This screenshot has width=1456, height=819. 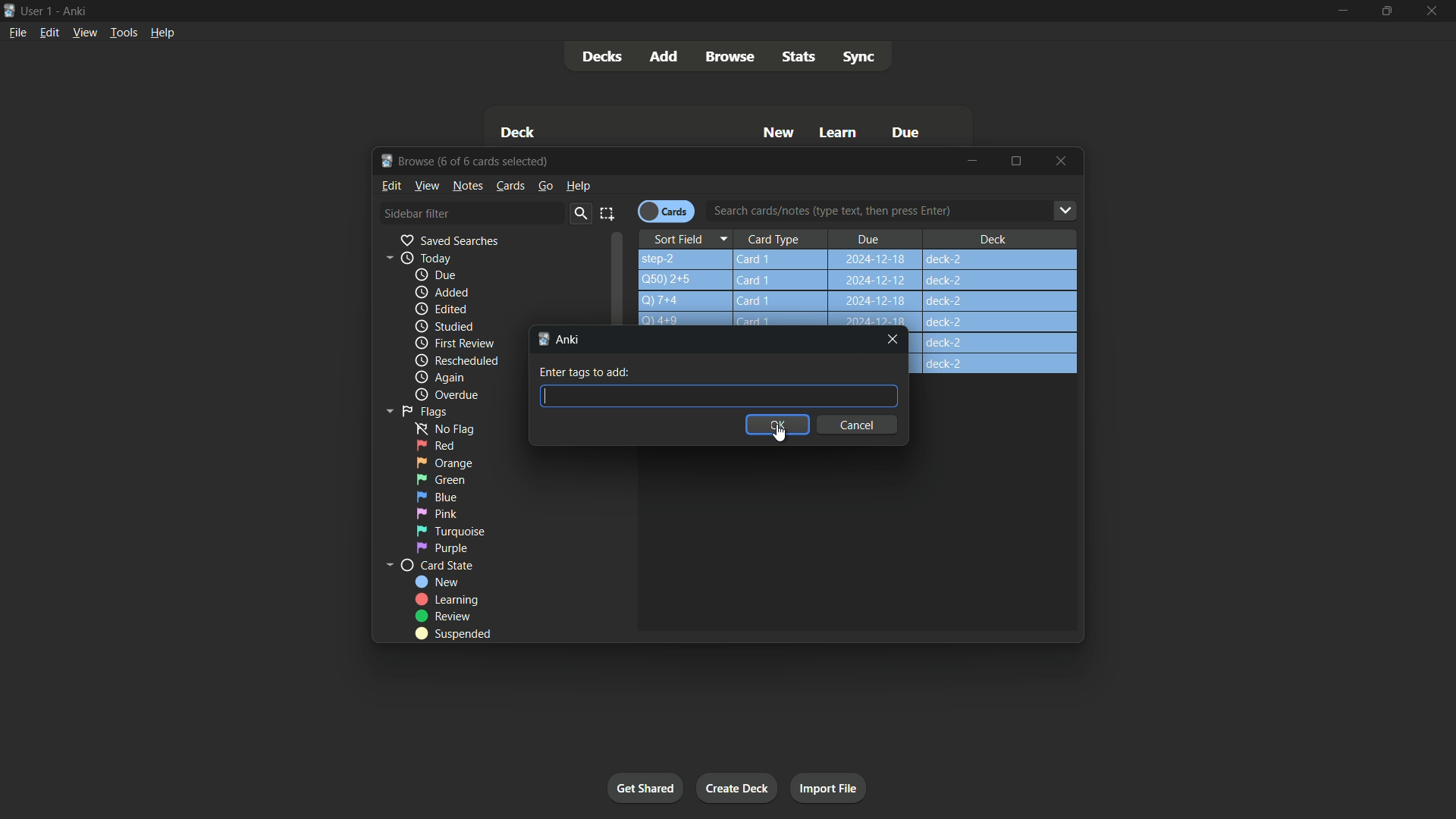 What do you see at coordinates (429, 566) in the screenshot?
I see `card state` at bounding box center [429, 566].